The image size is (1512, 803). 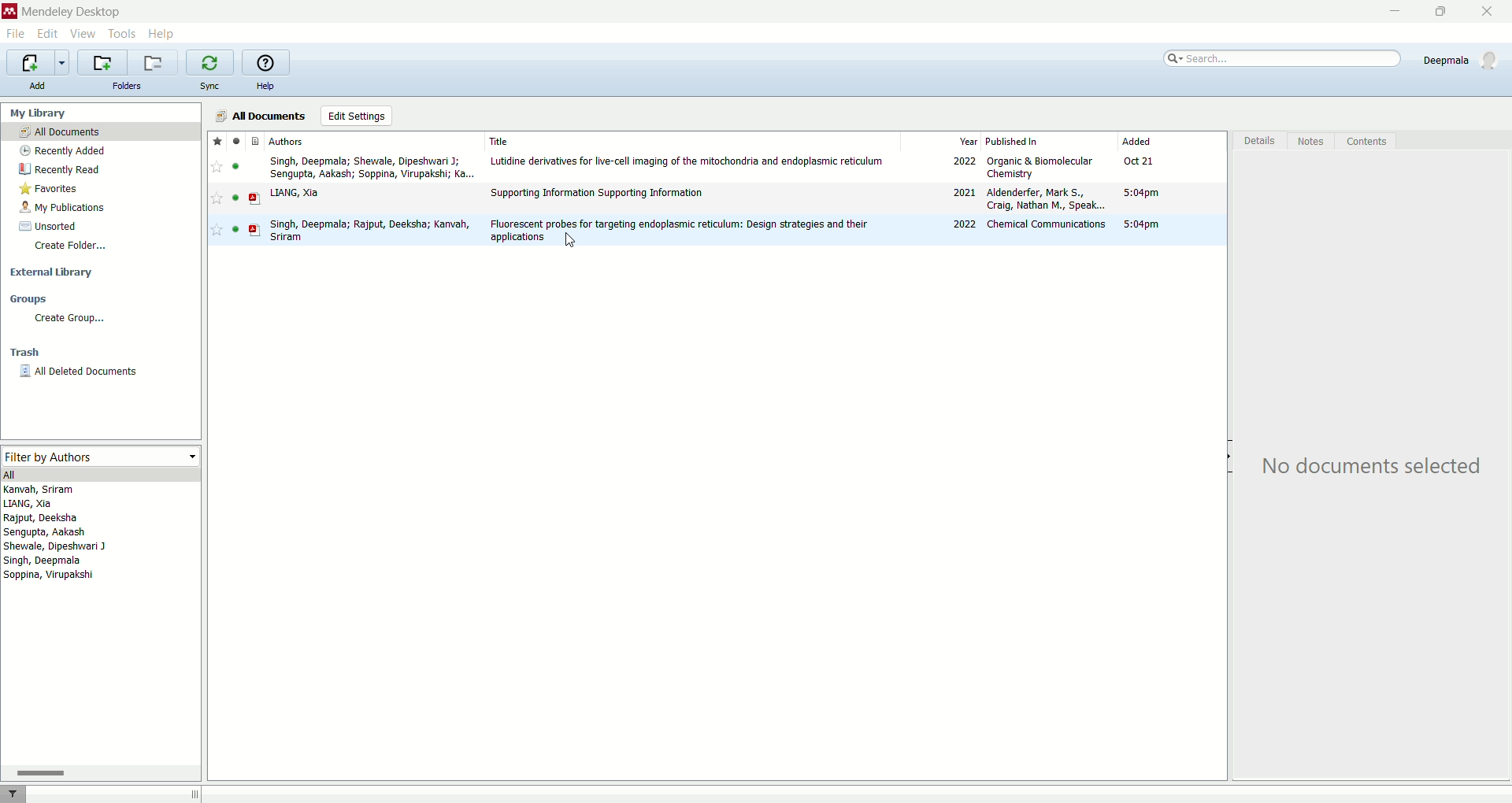 What do you see at coordinates (45, 227) in the screenshot?
I see `unsorted` at bounding box center [45, 227].